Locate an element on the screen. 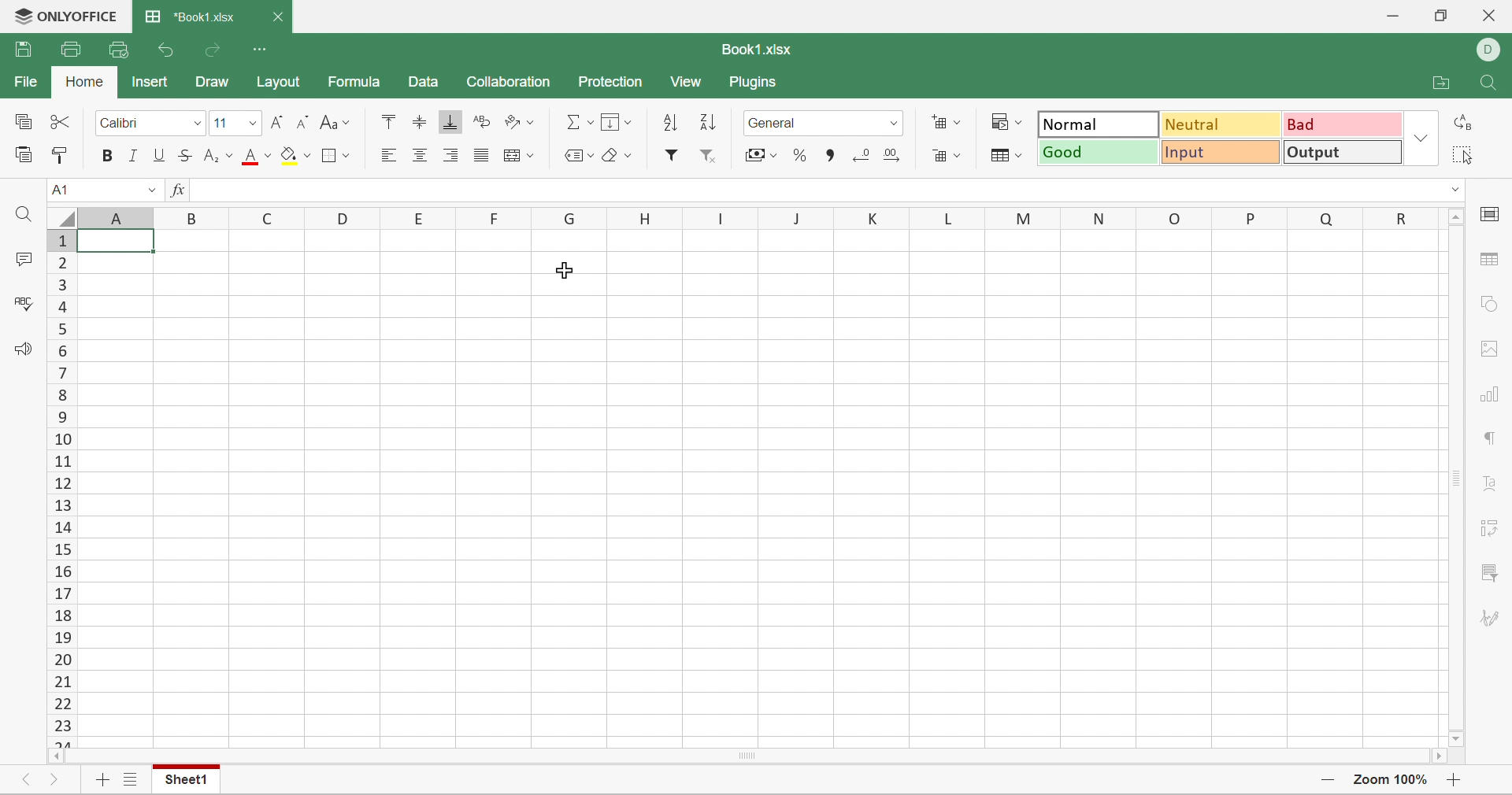  Undo is located at coordinates (169, 52).